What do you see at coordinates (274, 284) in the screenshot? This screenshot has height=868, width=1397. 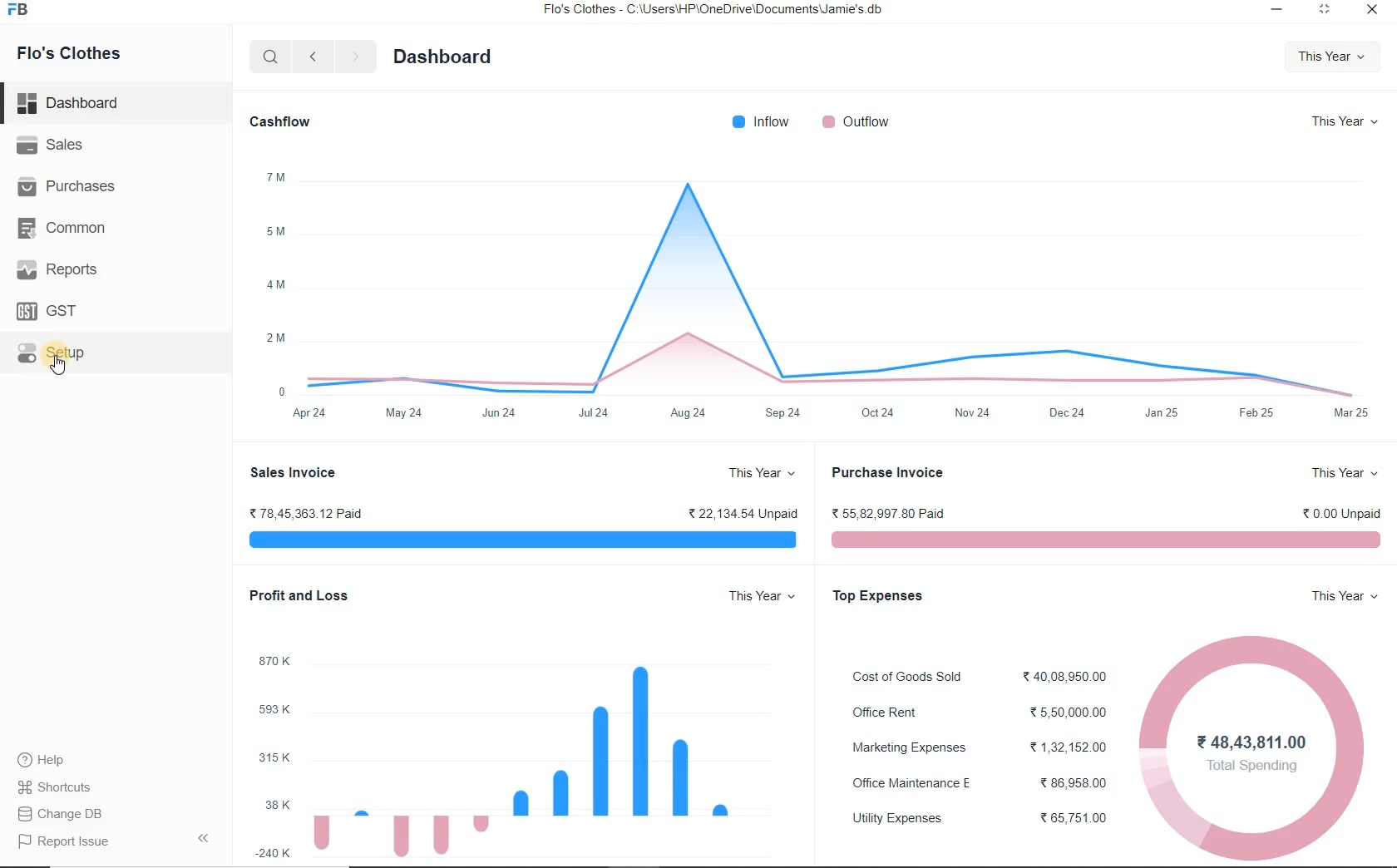 I see `7M, 5M, 4M, 2M, 0` at bounding box center [274, 284].